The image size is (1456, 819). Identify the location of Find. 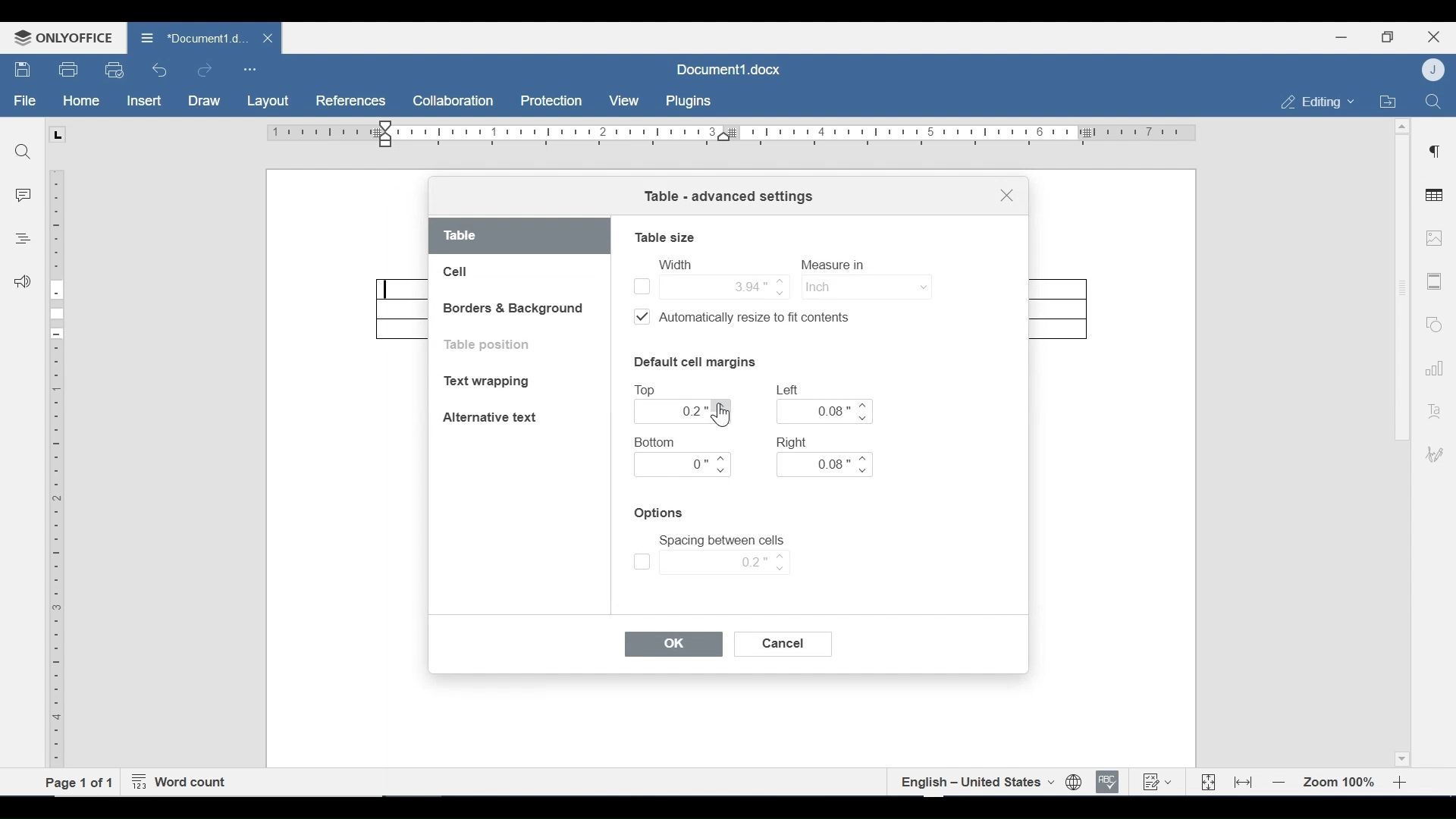
(22, 149).